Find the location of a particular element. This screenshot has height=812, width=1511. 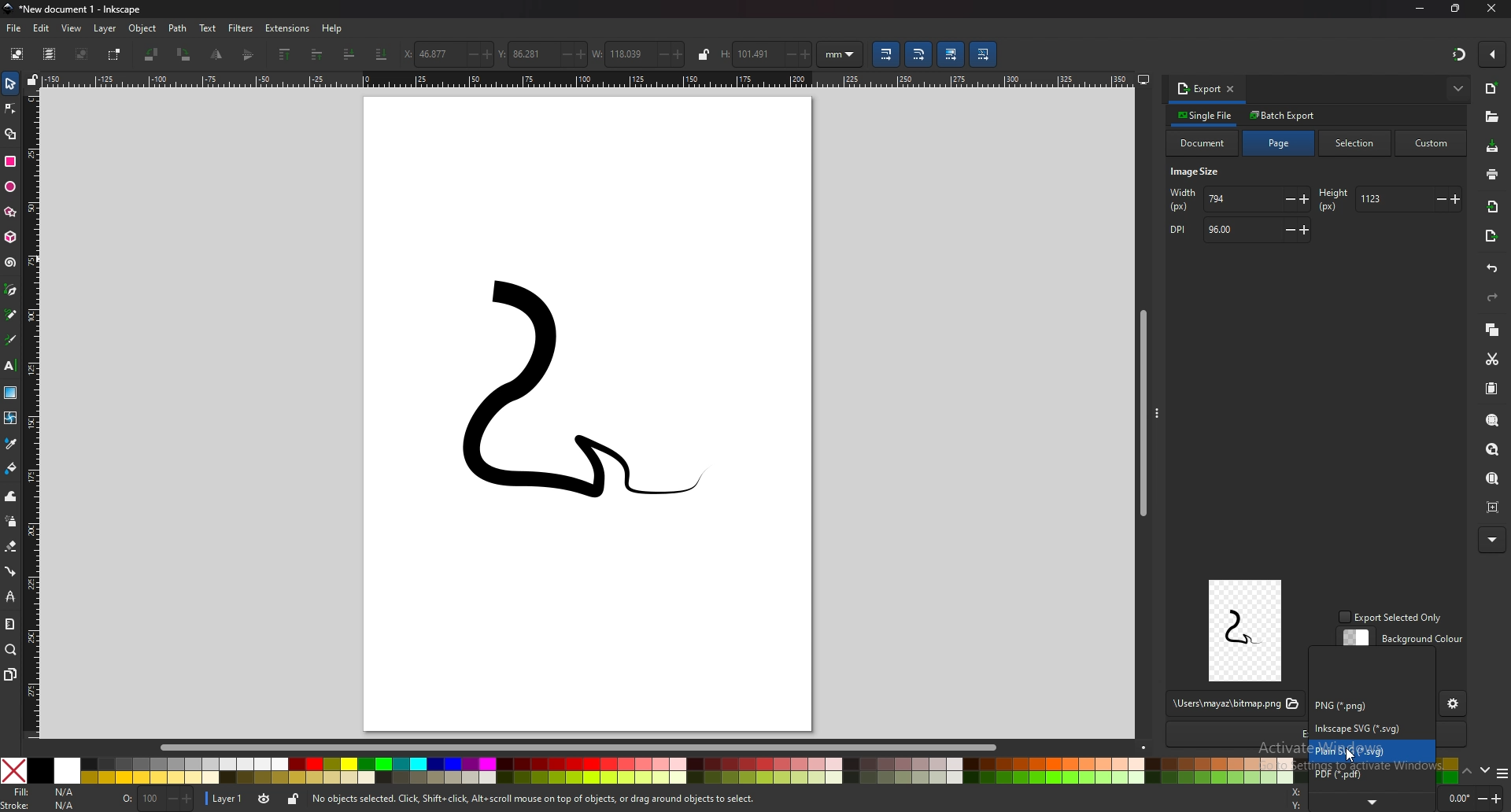

single file is located at coordinates (1206, 115).